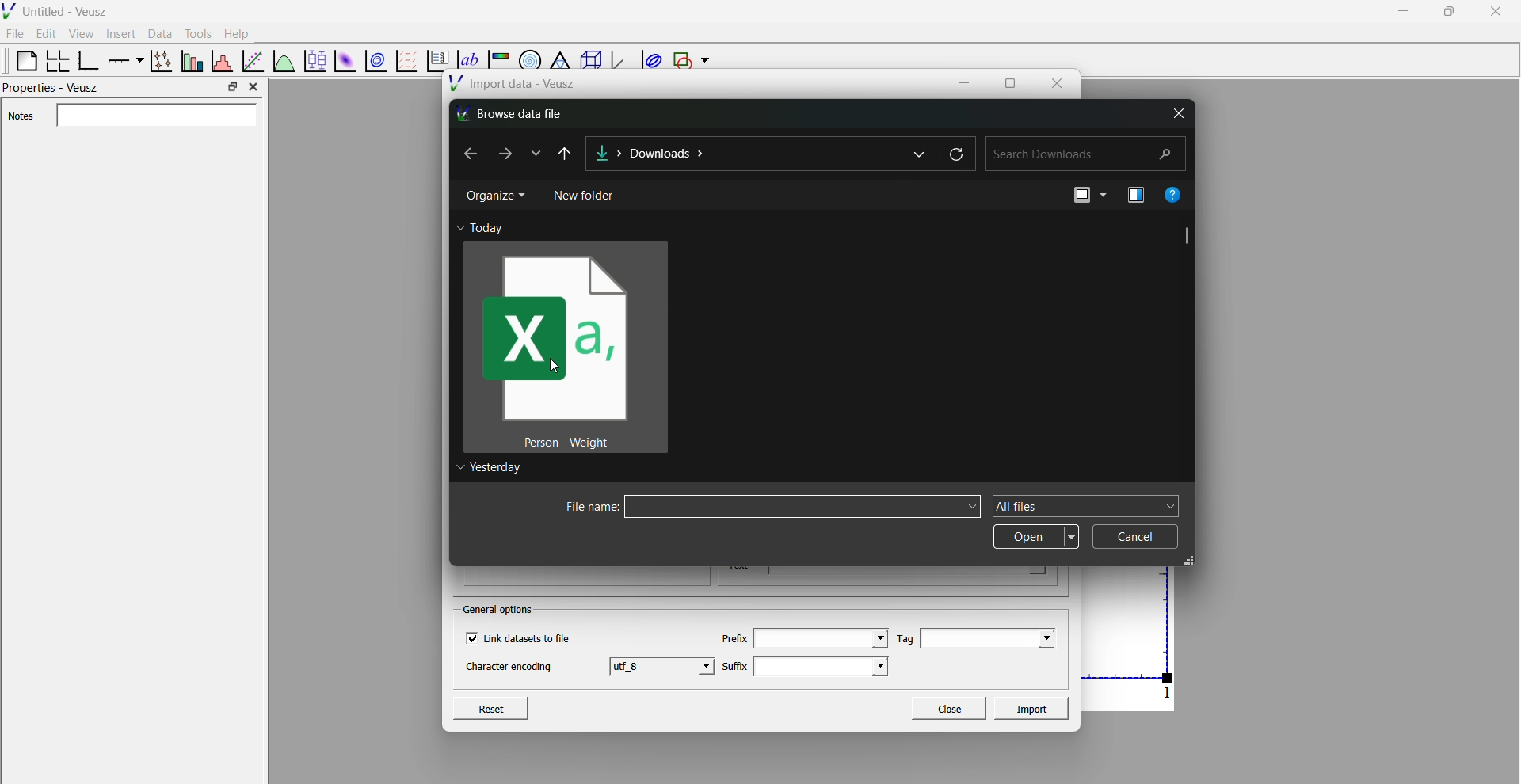  Describe the element at coordinates (159, 61) in the screenshot. I see `plot points with lines and errorbars` at that location.